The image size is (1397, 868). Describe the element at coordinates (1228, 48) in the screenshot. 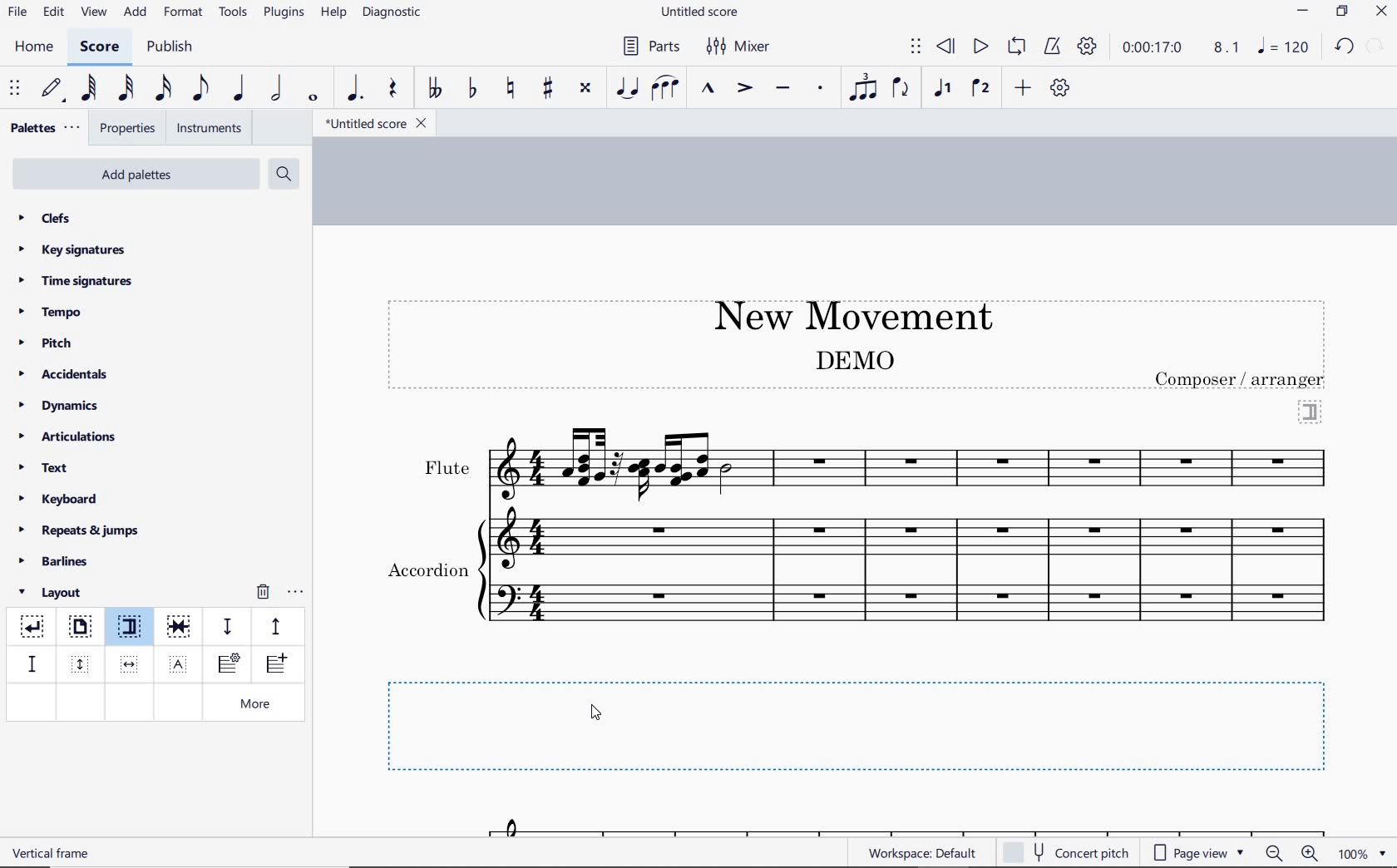

I see `Playback speed` at that location.